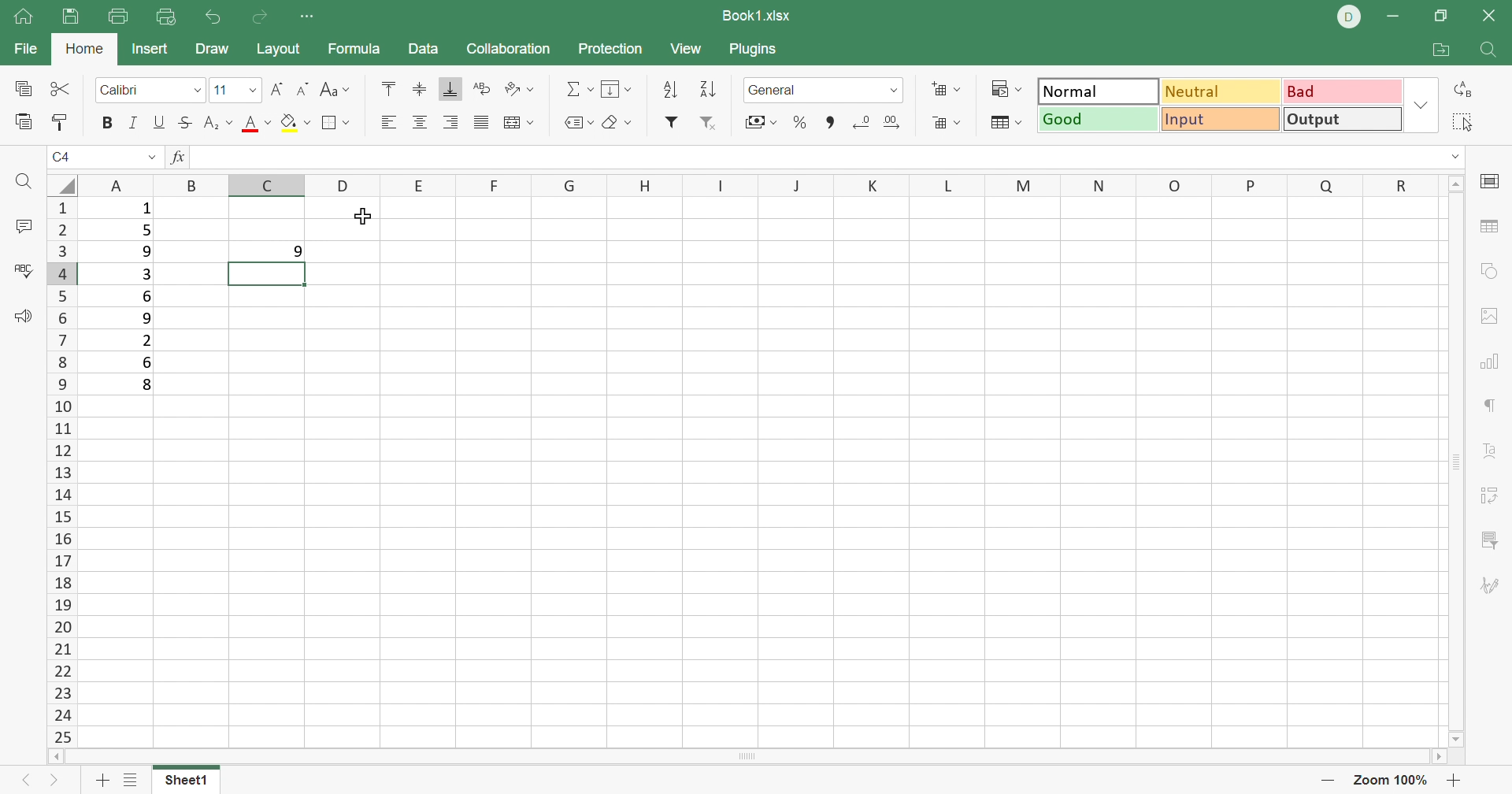 This screenshot has width=1512, height=794. Describe the element at coordinates (1339, 91) in the screenshot. I see `Bad` at that location.